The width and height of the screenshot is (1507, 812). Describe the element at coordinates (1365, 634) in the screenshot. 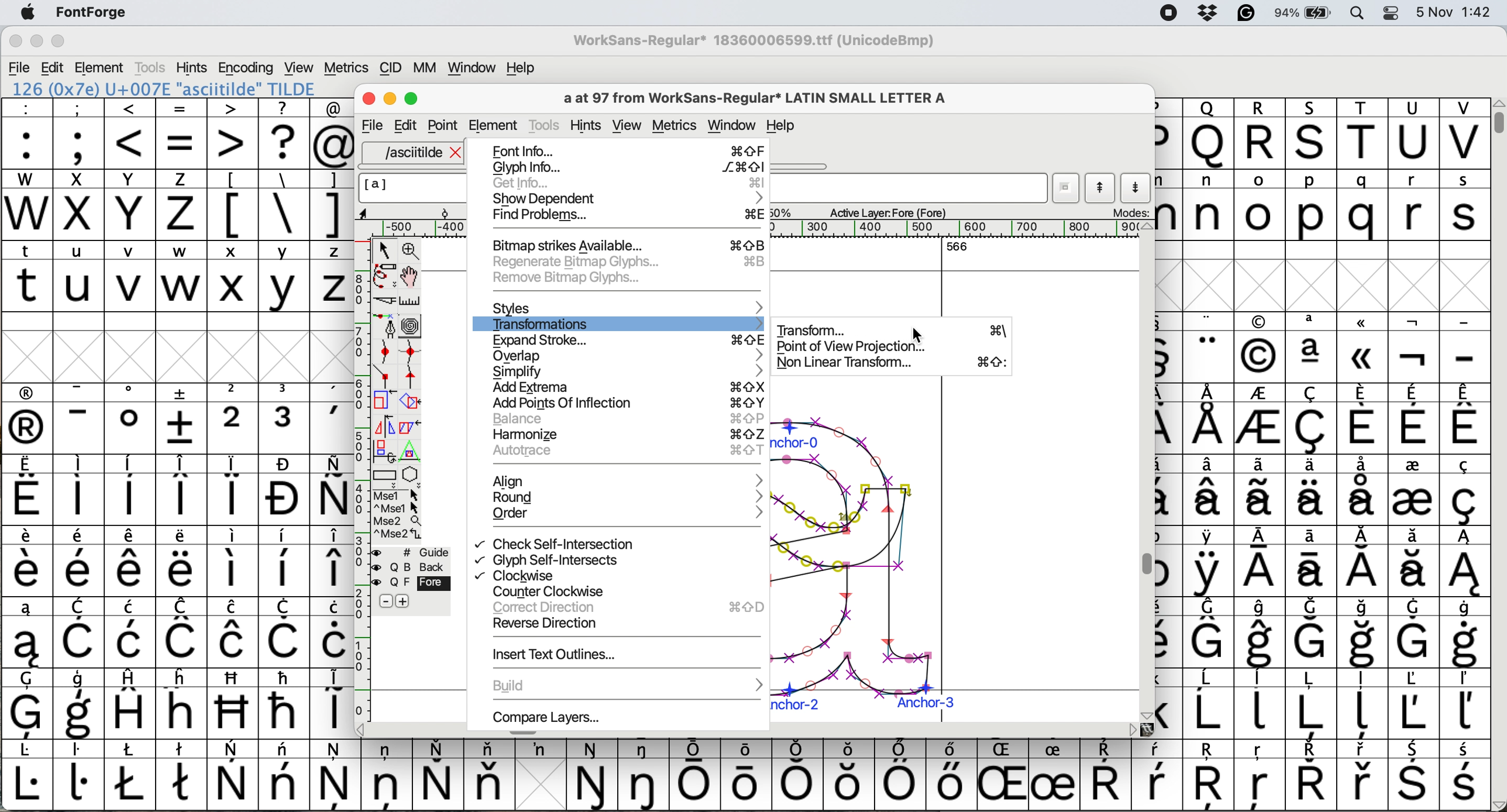

I see `symbol` at that location.